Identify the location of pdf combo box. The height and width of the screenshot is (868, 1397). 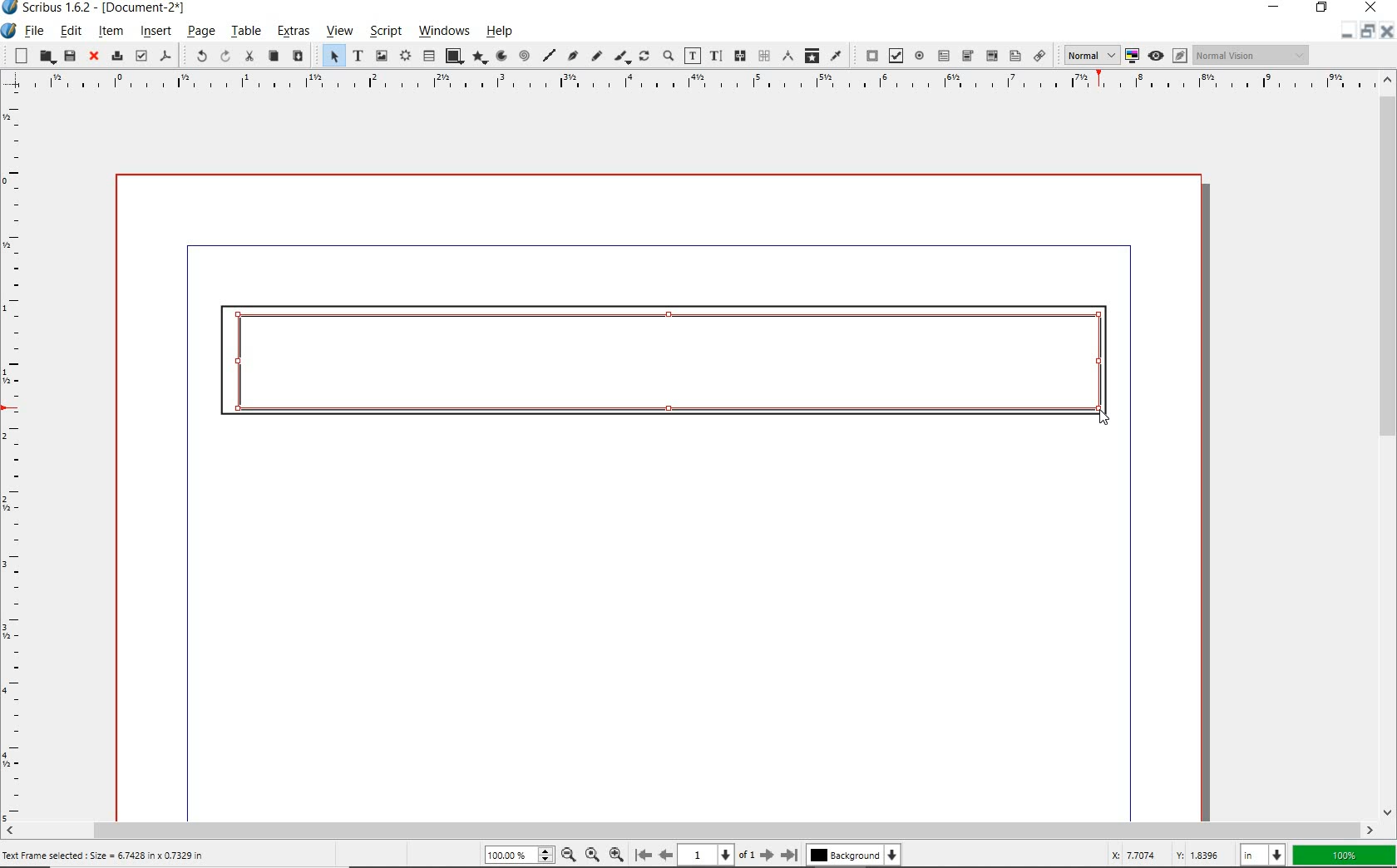
(967, 57).